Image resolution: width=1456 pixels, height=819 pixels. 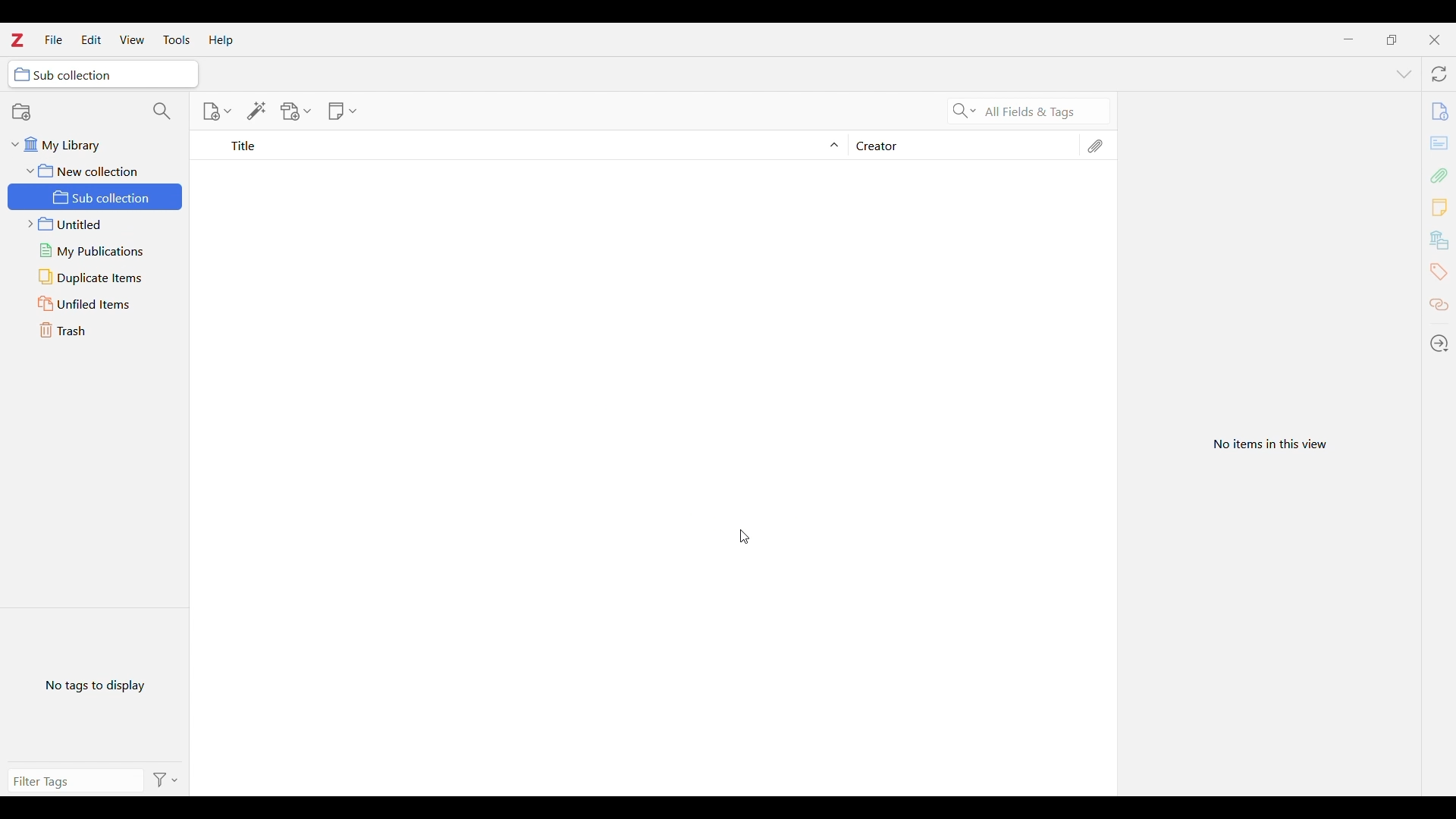 I want to click on View selected item in current folder, so click(x=1269, y=445).